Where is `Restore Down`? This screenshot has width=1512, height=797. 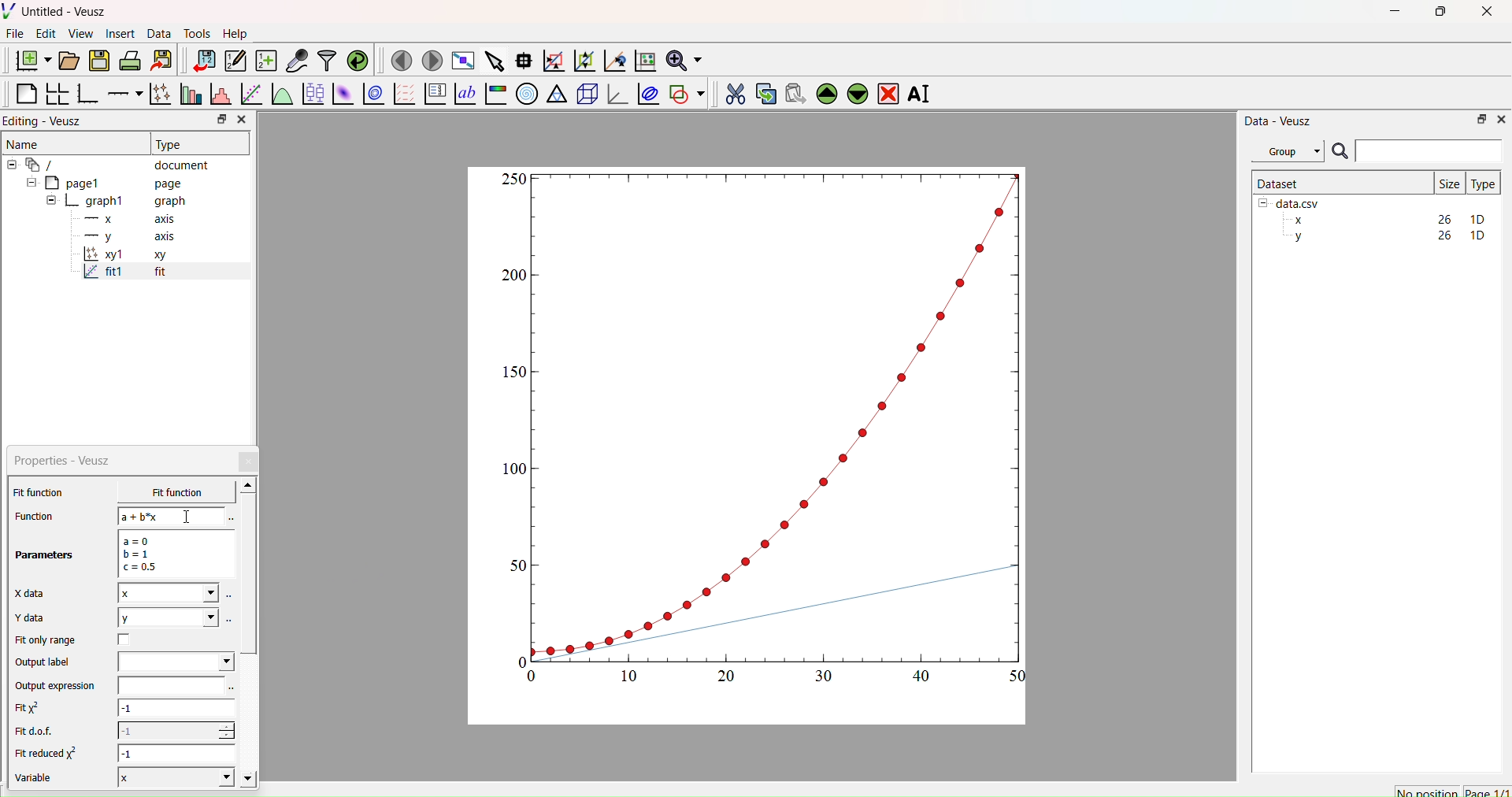 Restore Down is located at coordinates (1477, 118).